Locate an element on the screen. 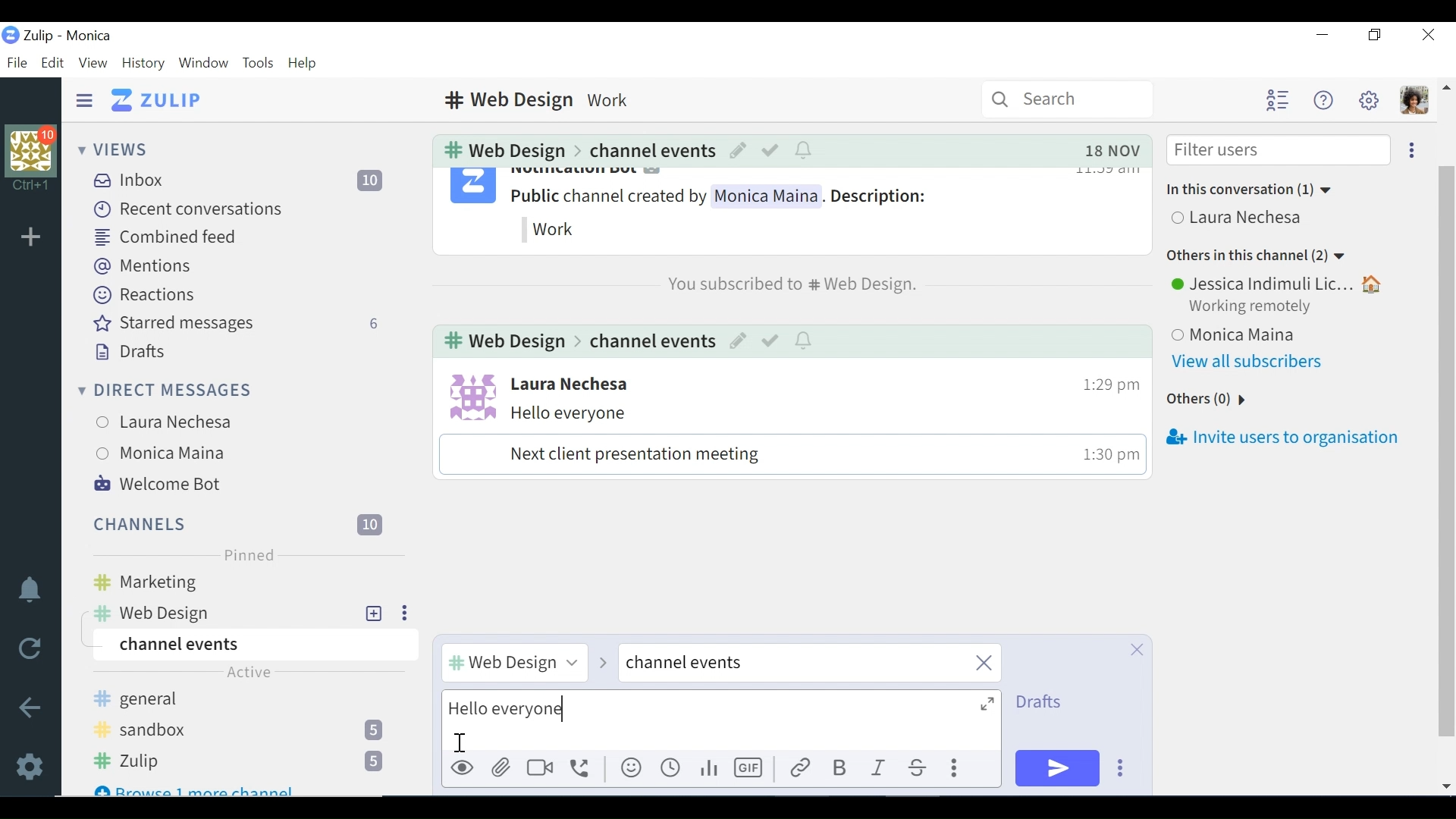 This screenshot has width=1456, height=819. Bold is located at coordinates (838, 768).